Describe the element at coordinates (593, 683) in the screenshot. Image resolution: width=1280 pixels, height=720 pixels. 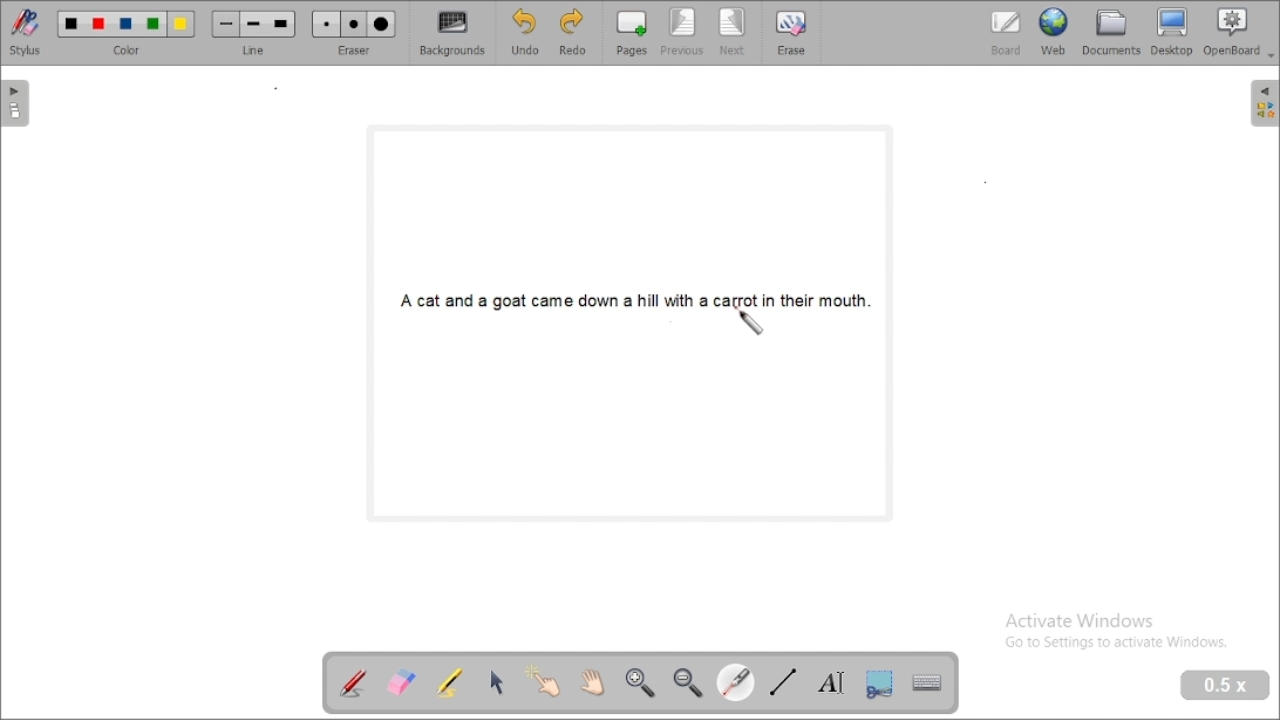
I see `scroll page` at that location.